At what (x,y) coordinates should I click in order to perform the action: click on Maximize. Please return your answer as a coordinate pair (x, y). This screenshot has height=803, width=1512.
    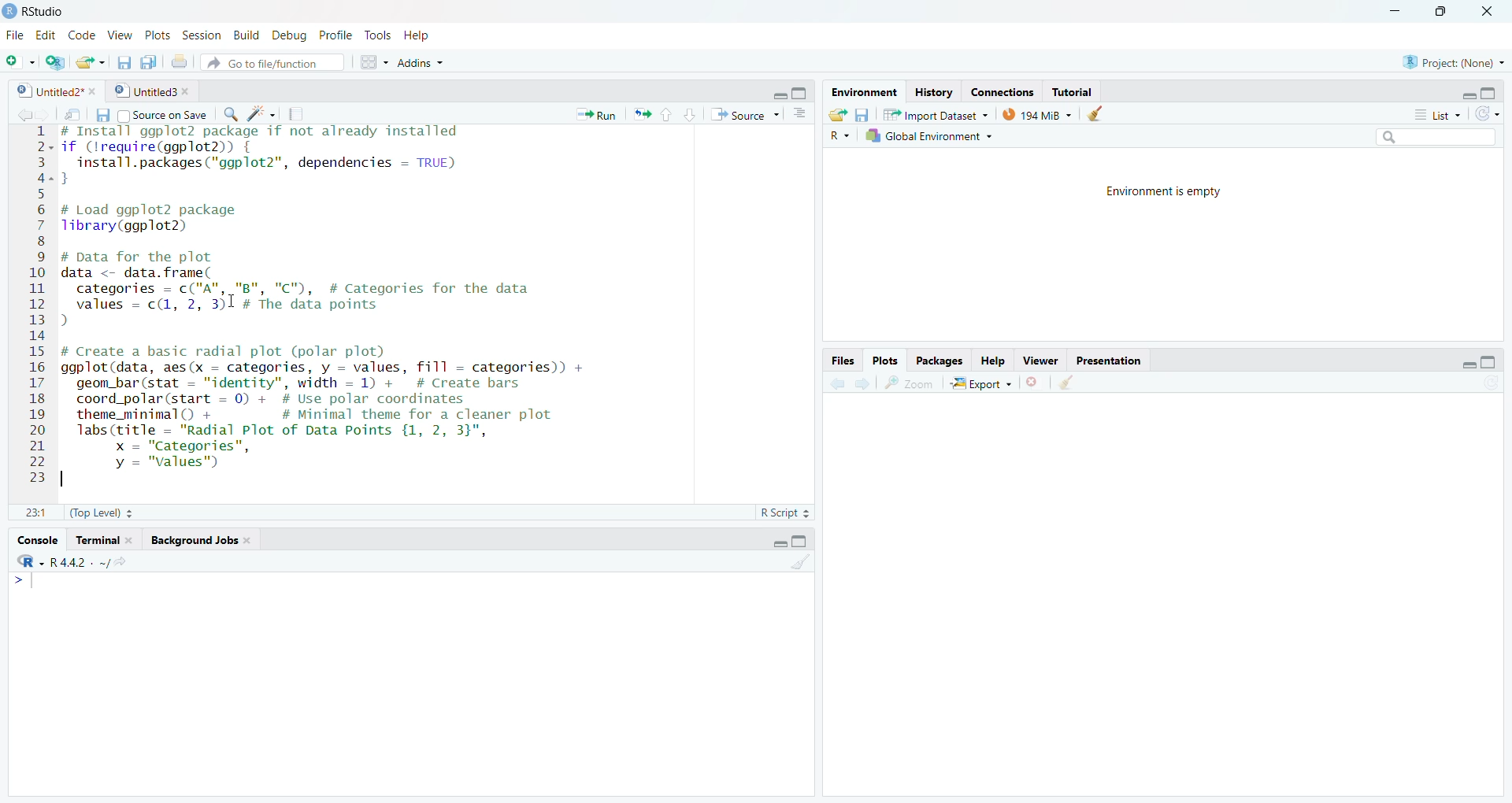
    Looking at the image, I should click on (1492, 92).